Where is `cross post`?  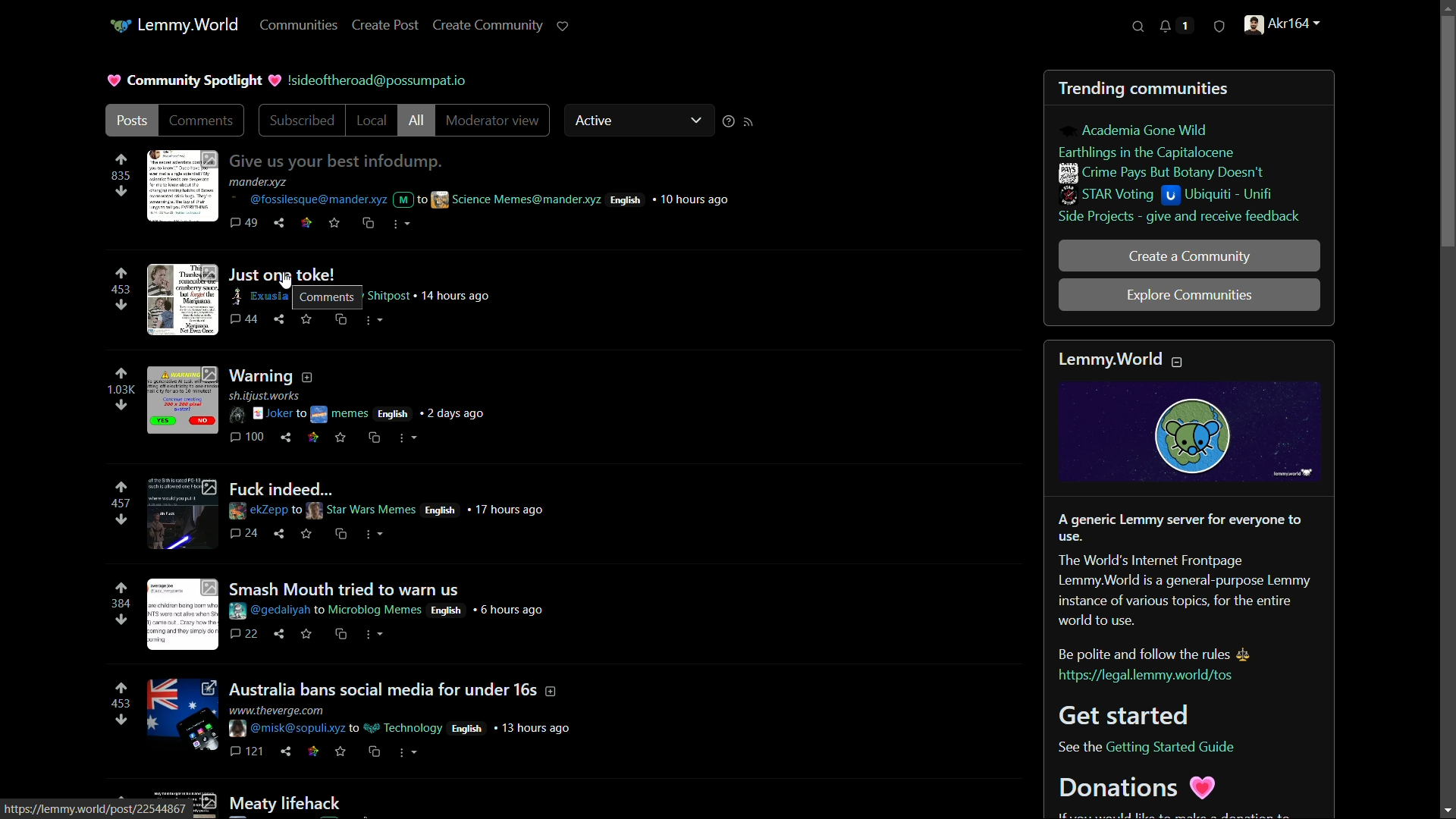 cross post is located at coordinates (340, 535).